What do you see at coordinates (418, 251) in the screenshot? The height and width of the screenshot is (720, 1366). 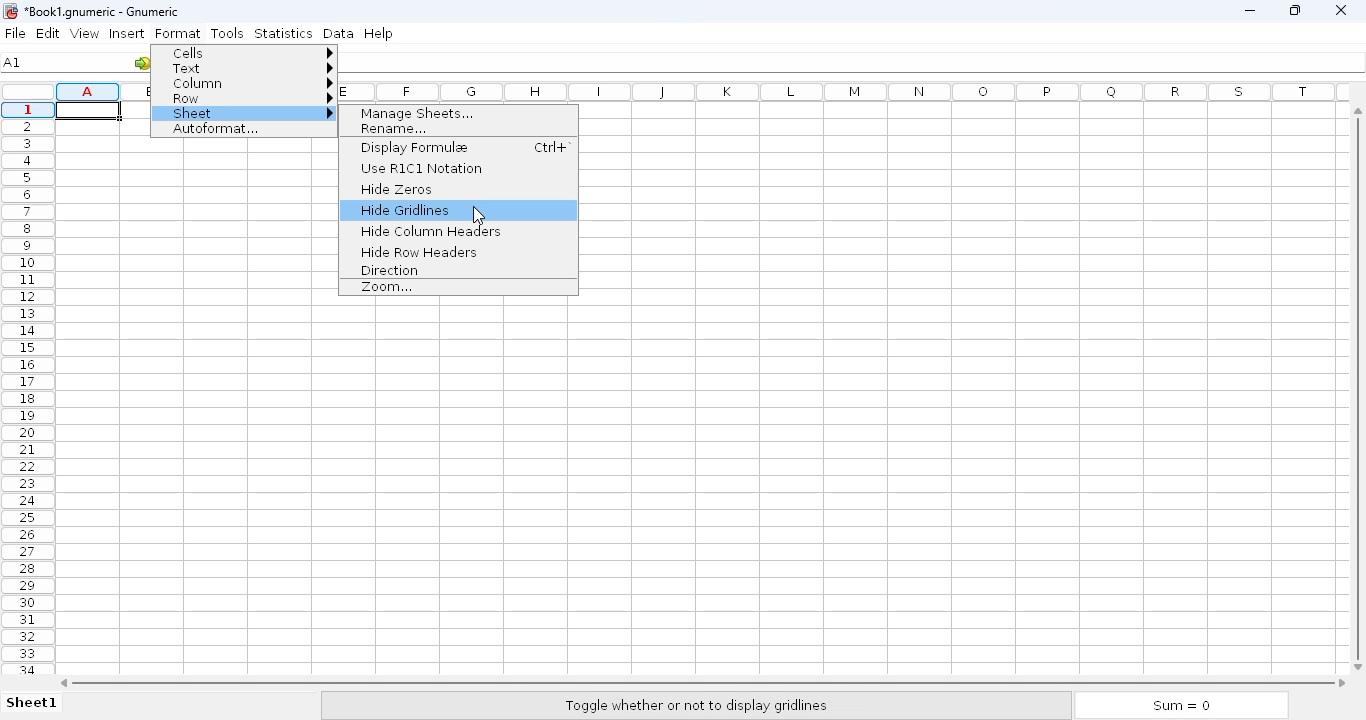 I see `hide row headers` at bounding box center [418, 251].